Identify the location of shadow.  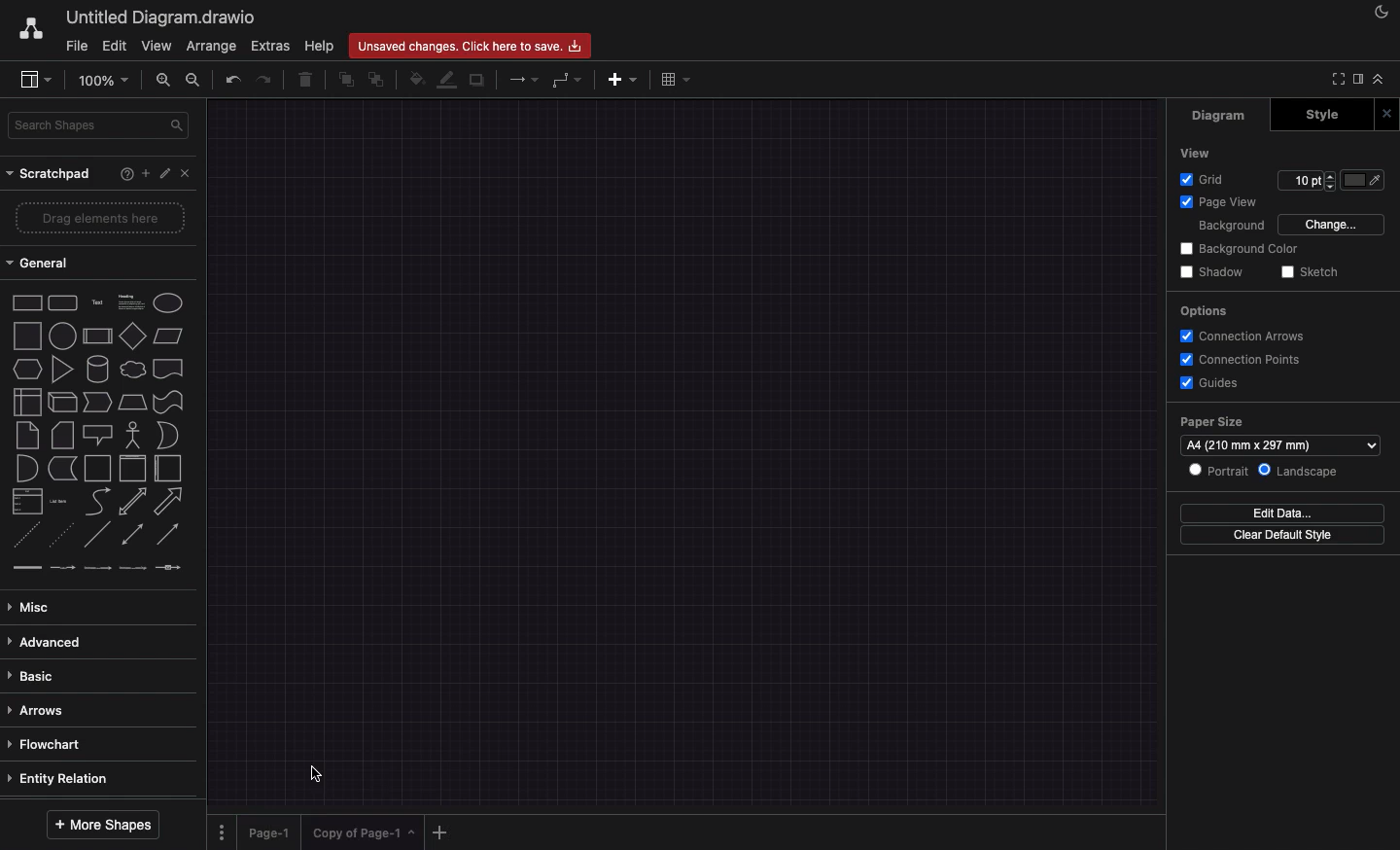
(477, 82).